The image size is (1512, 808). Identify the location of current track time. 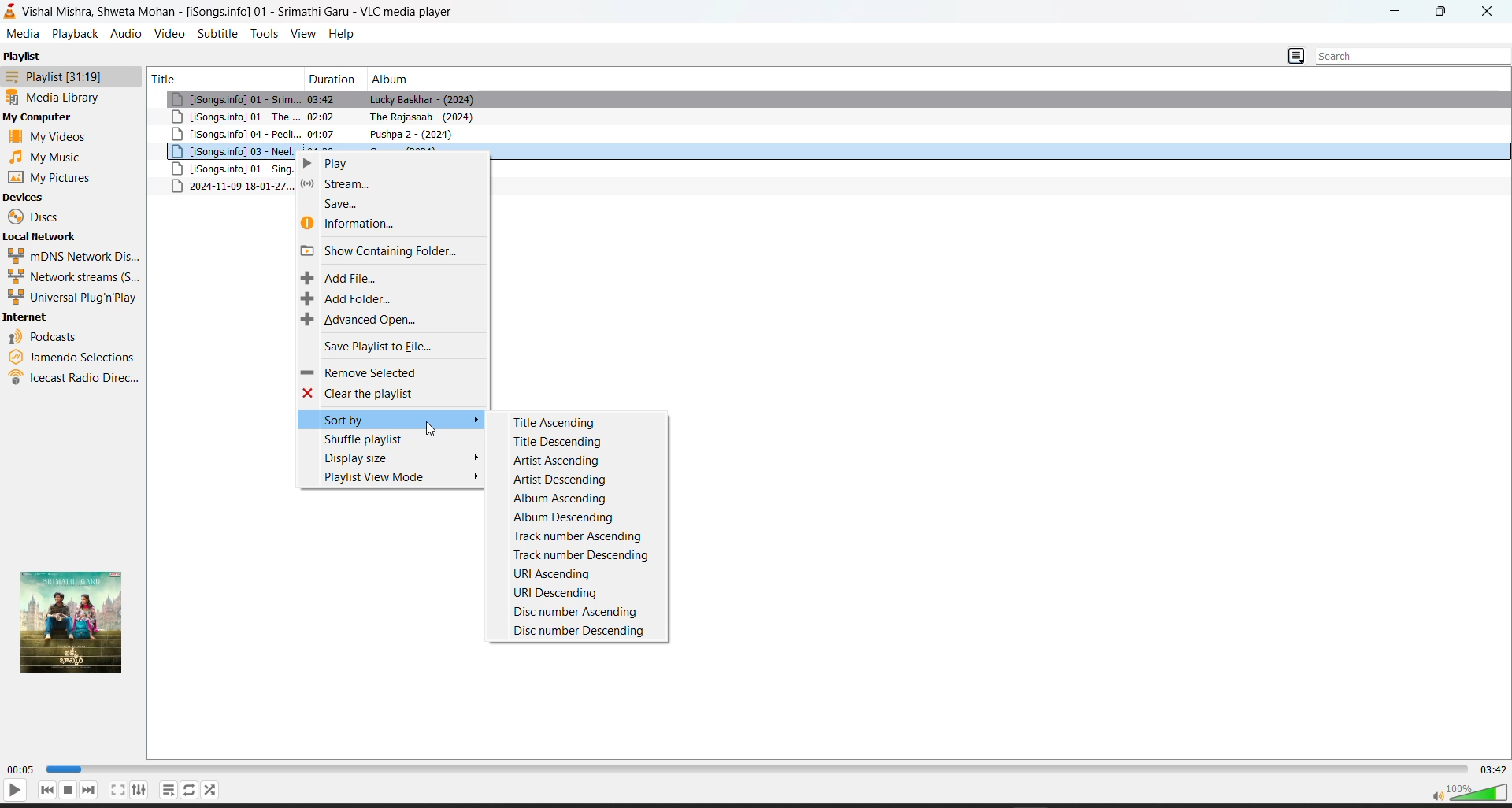
(19, 770).